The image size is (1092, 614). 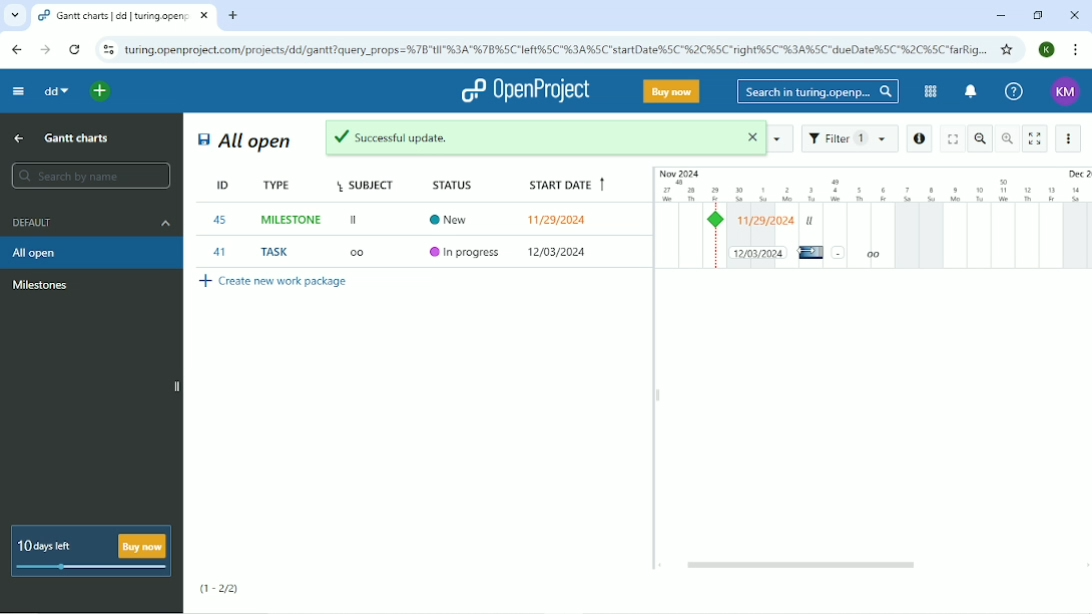 What do you see at coordinates (355, 221) in the screenshot?
I see `II` at bounding box center [355, 221].